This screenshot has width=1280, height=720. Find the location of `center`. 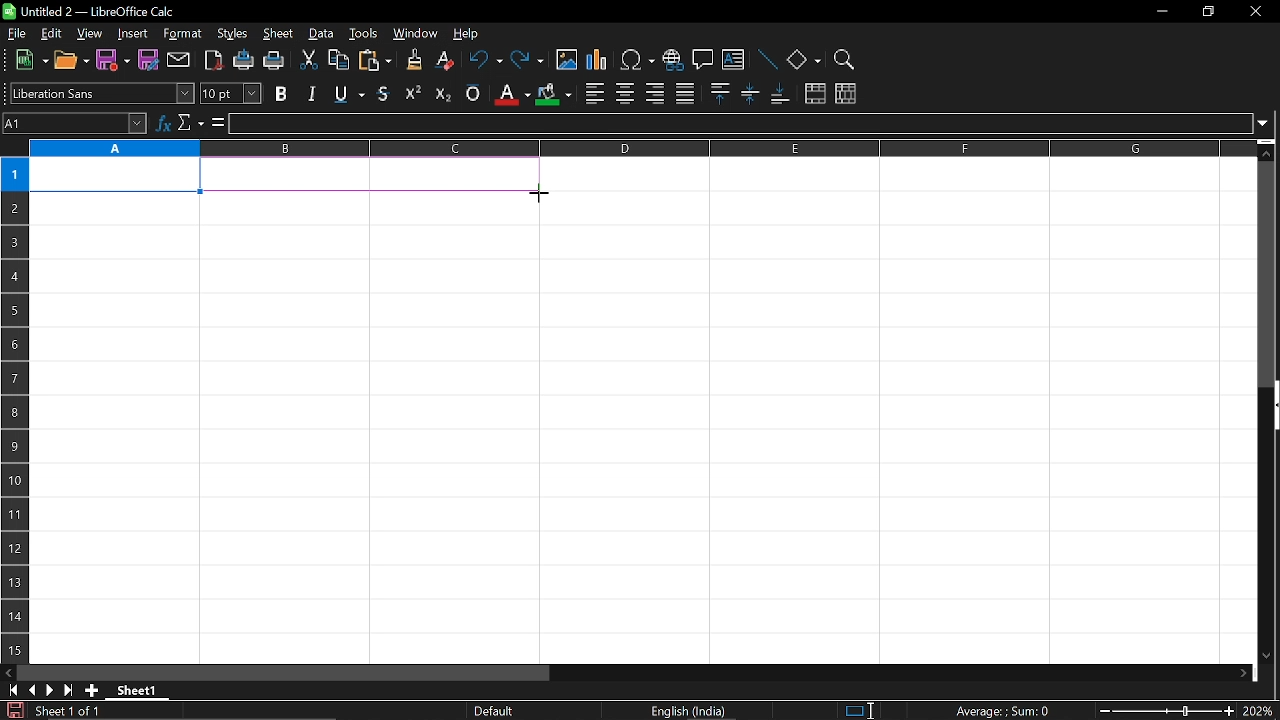

center is located at coordinates (625, 93).